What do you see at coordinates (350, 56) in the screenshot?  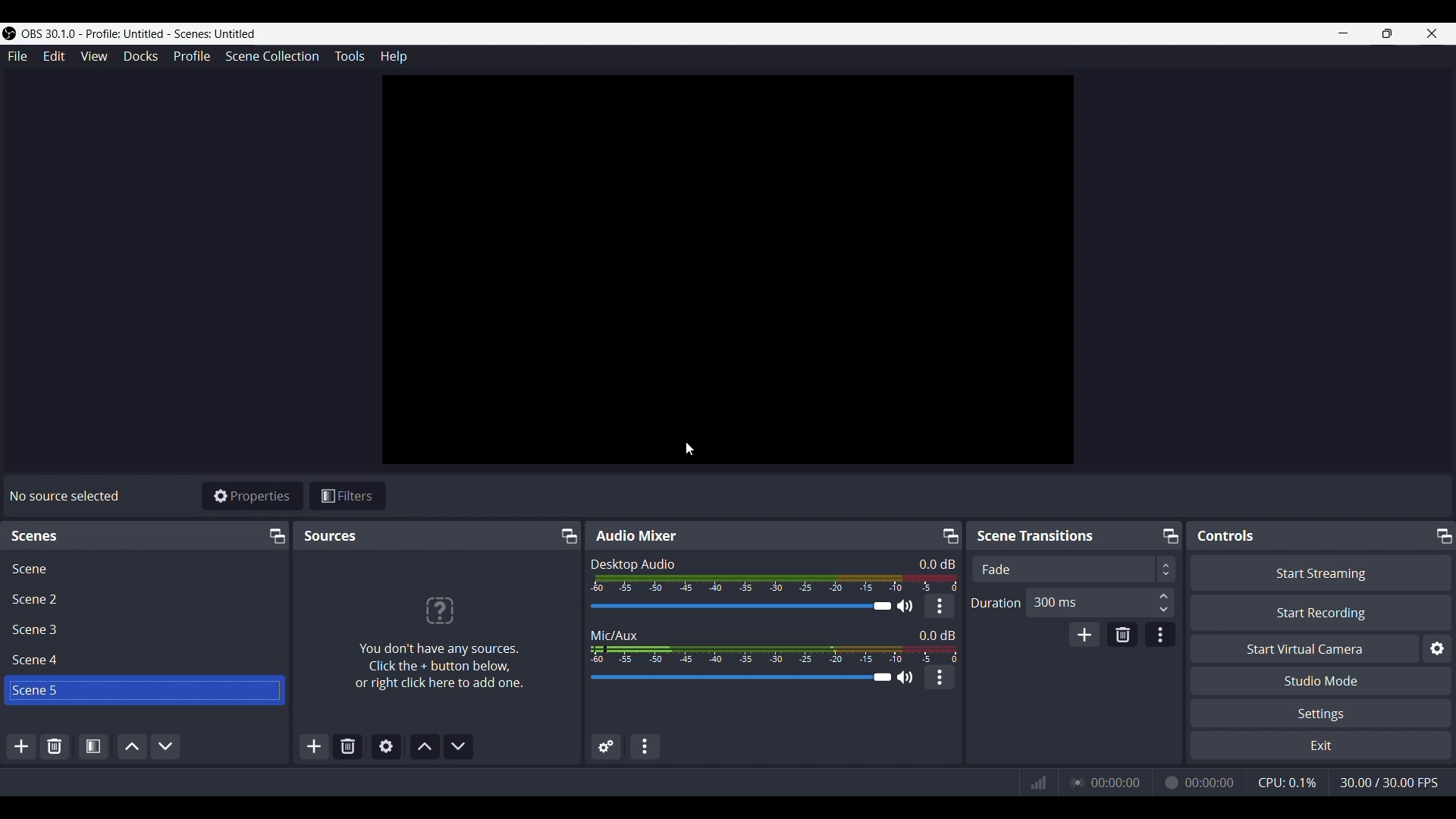 I see `Tools` at bounding box center [350, 56].